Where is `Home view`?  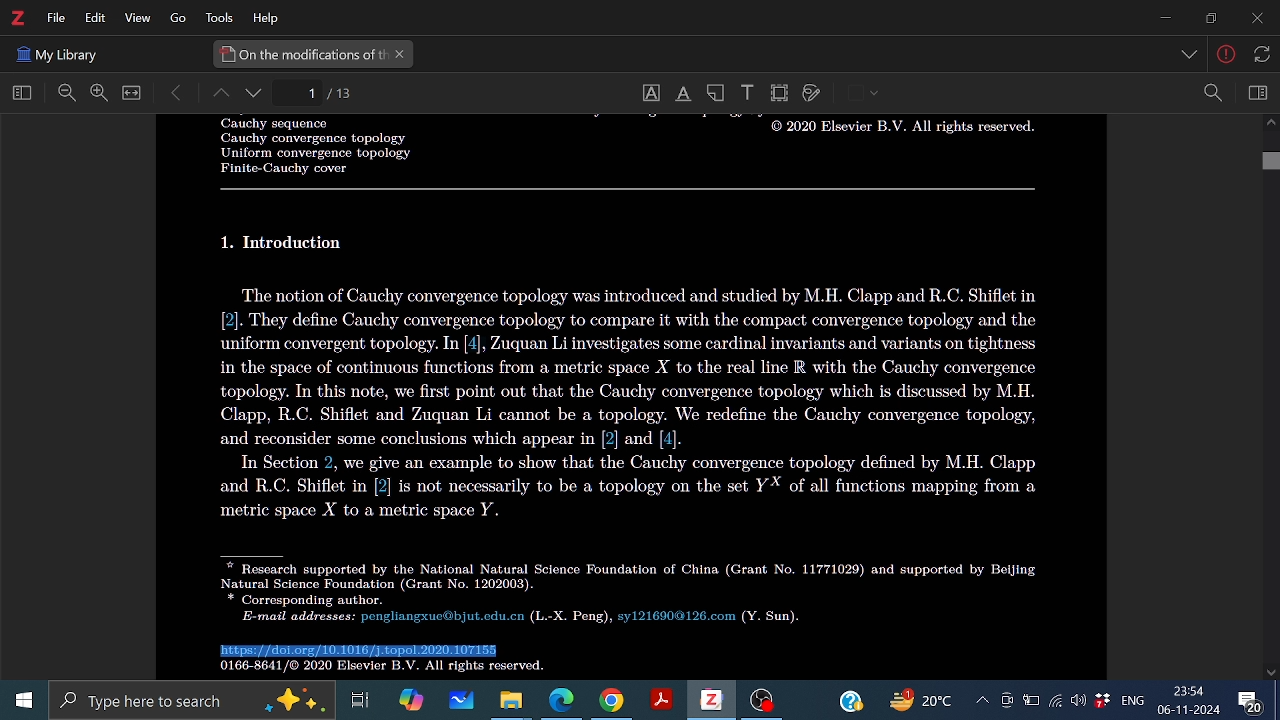
Home view is located at coordinates (18, 94).